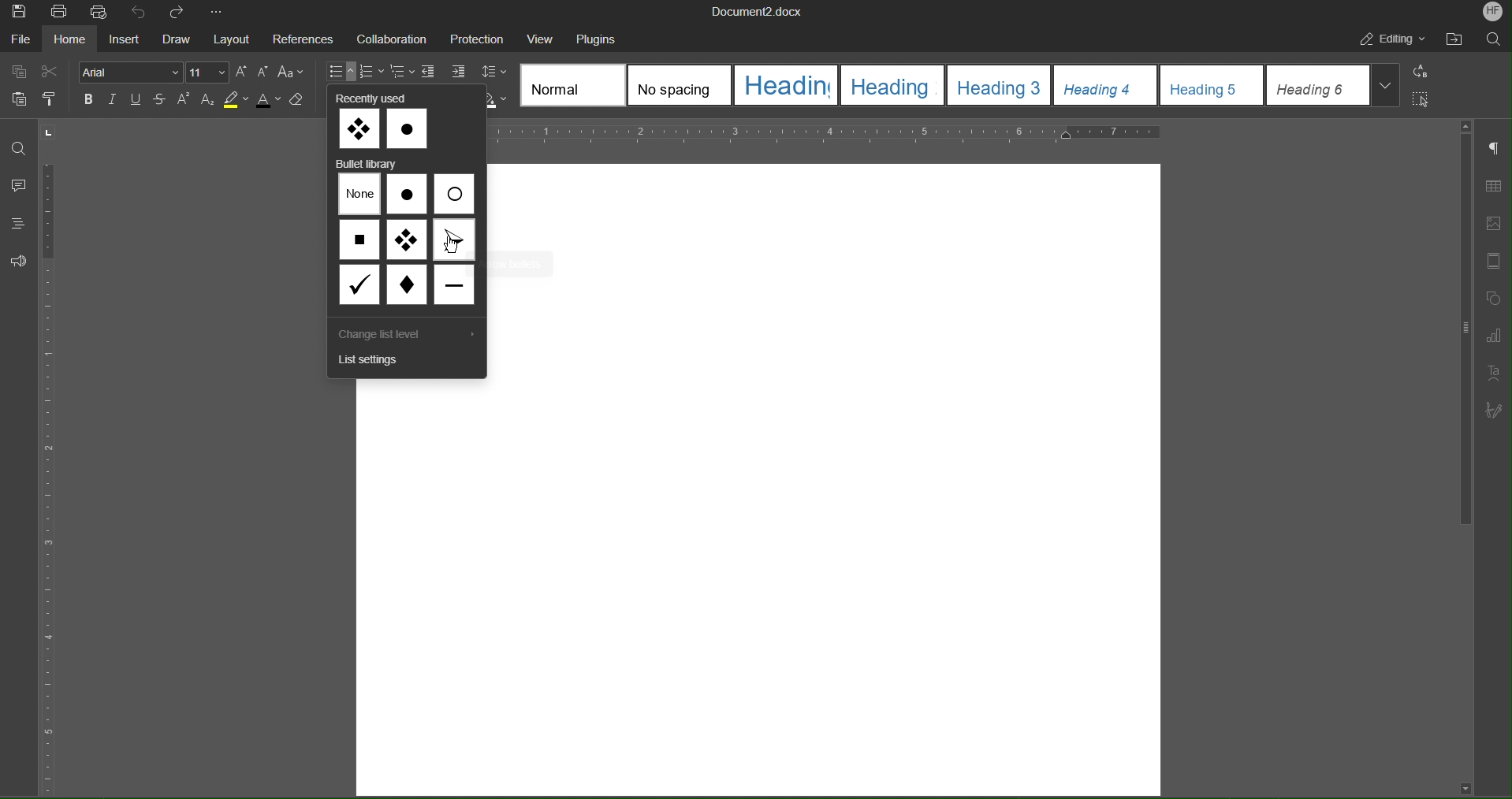  I want to click on Editing, so click(1393, 39).